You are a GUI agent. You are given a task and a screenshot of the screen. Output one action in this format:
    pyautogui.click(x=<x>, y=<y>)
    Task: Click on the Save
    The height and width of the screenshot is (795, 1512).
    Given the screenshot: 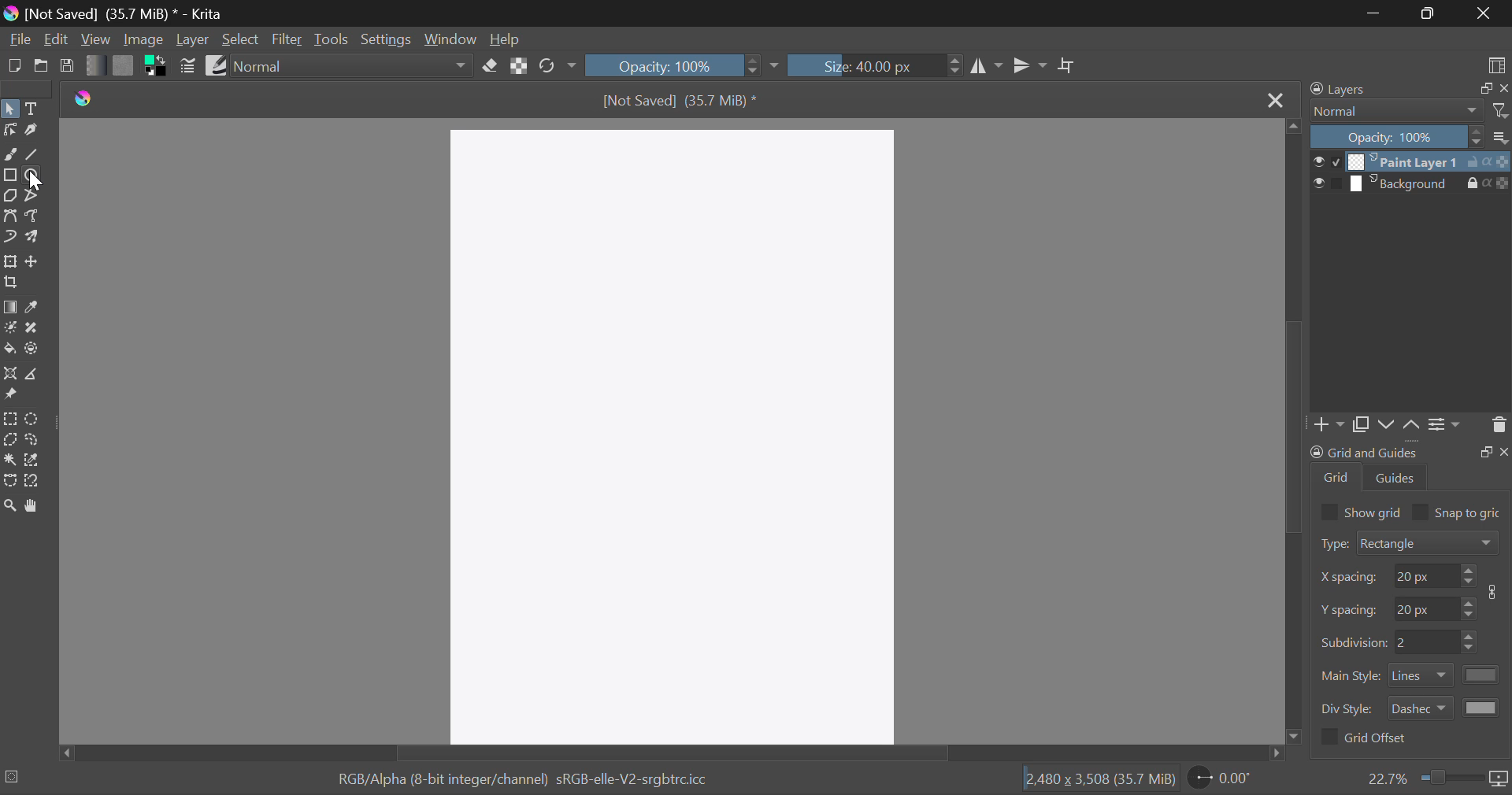 What is the action you would take?
    pyautogui.click(x=68, y=68)
    